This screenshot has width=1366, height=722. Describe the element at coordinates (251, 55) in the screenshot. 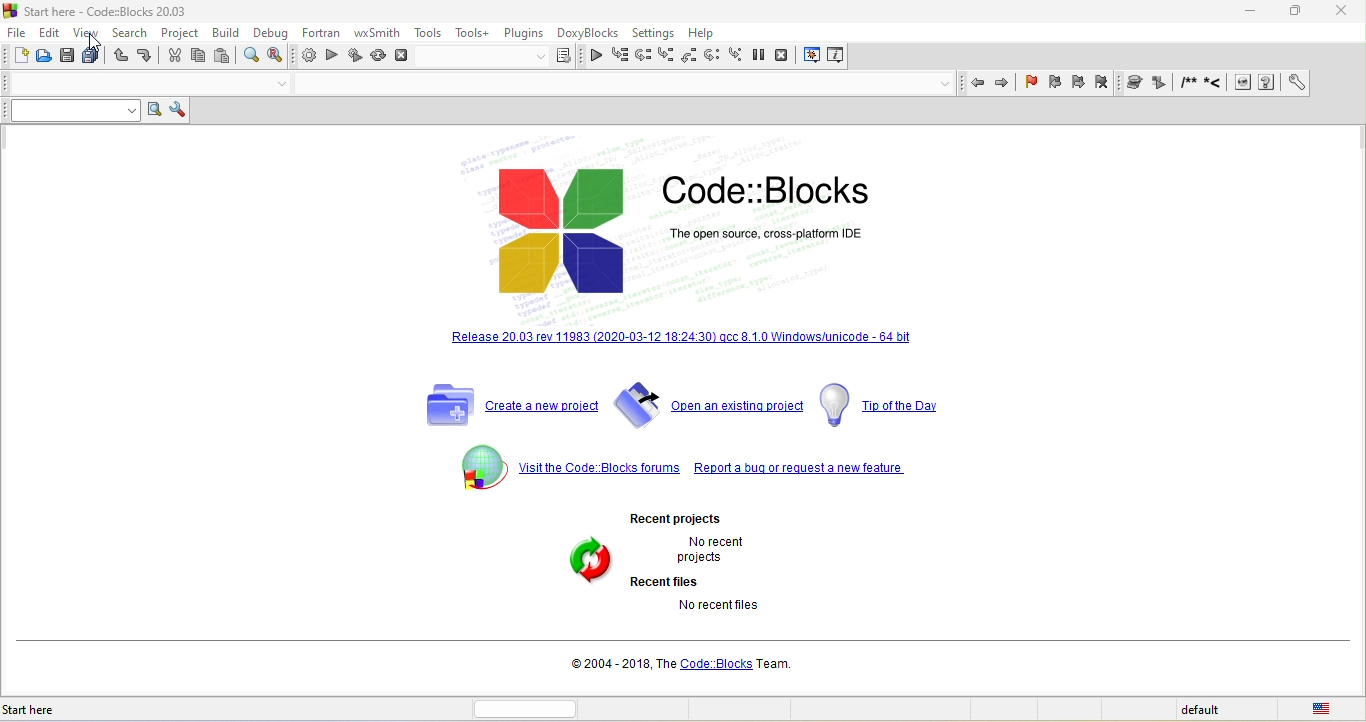

I see `find` at that location.